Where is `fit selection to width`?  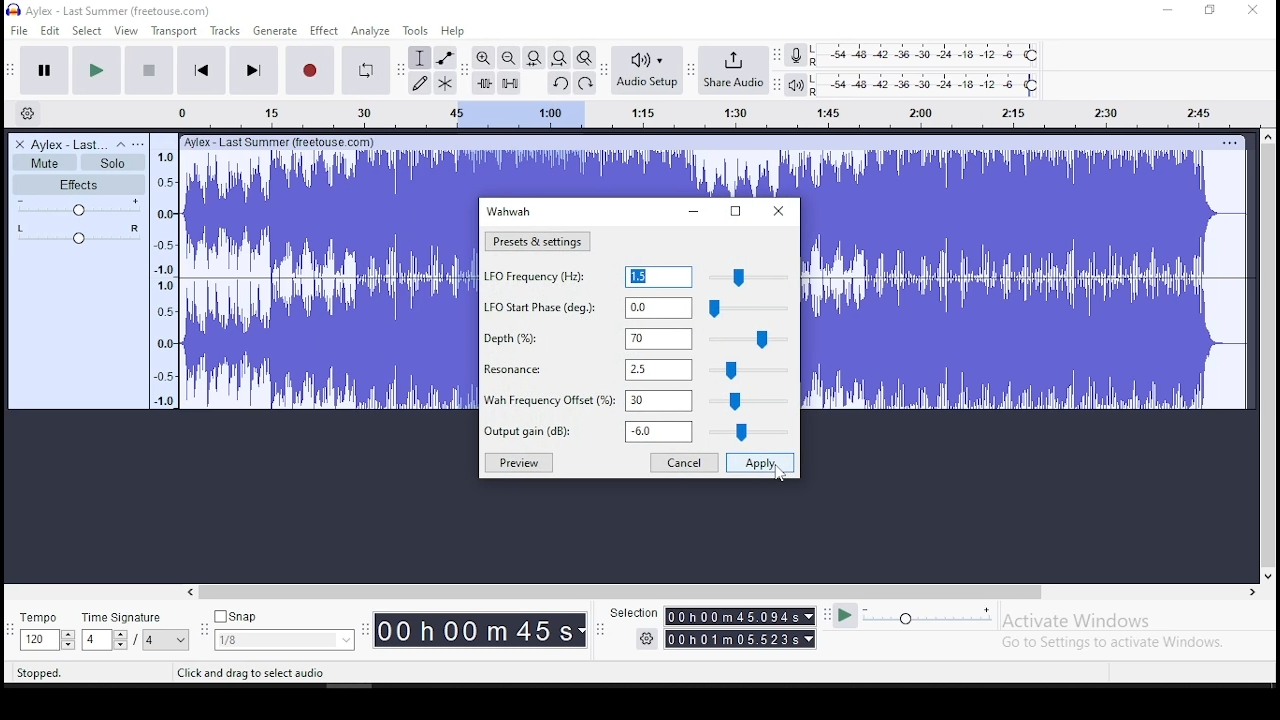 fit selection to width is located at coordinates (533, 58).